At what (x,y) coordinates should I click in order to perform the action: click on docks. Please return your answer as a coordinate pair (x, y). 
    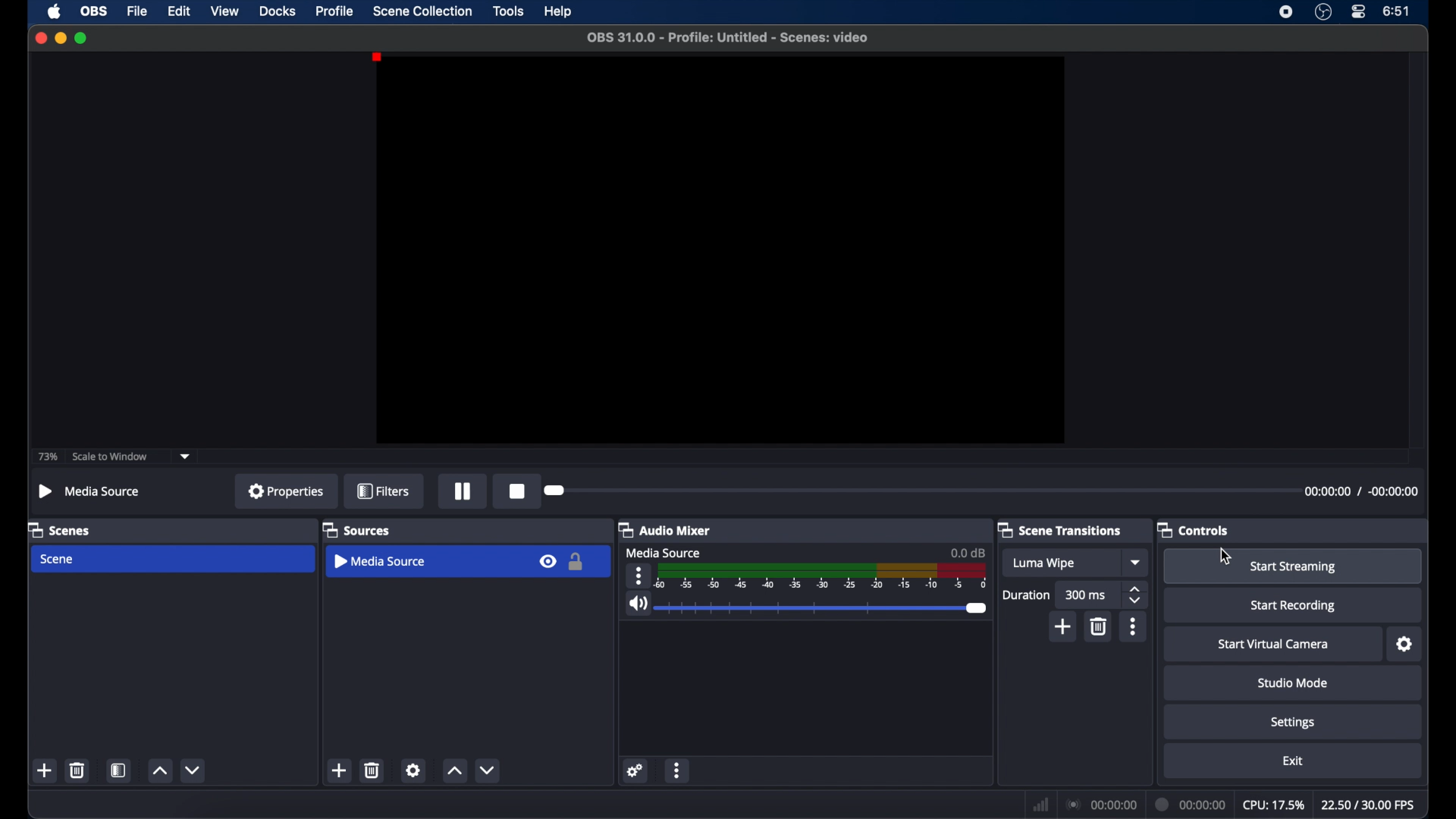
    Looking at the image, I should click on (278, 11).